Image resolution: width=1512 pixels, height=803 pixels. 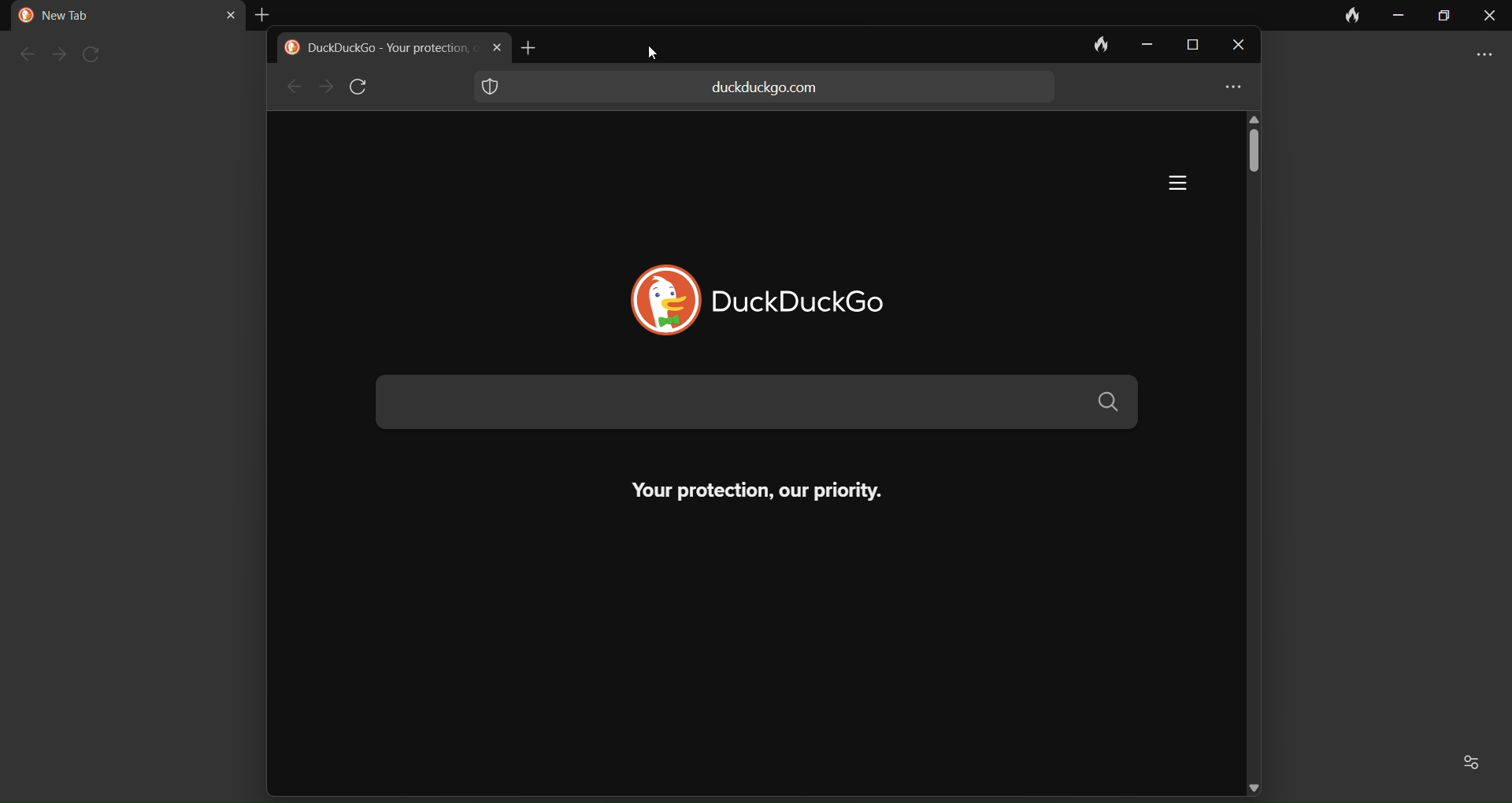 I want to click on Your protection, our priority., so click(x=735, y=490).